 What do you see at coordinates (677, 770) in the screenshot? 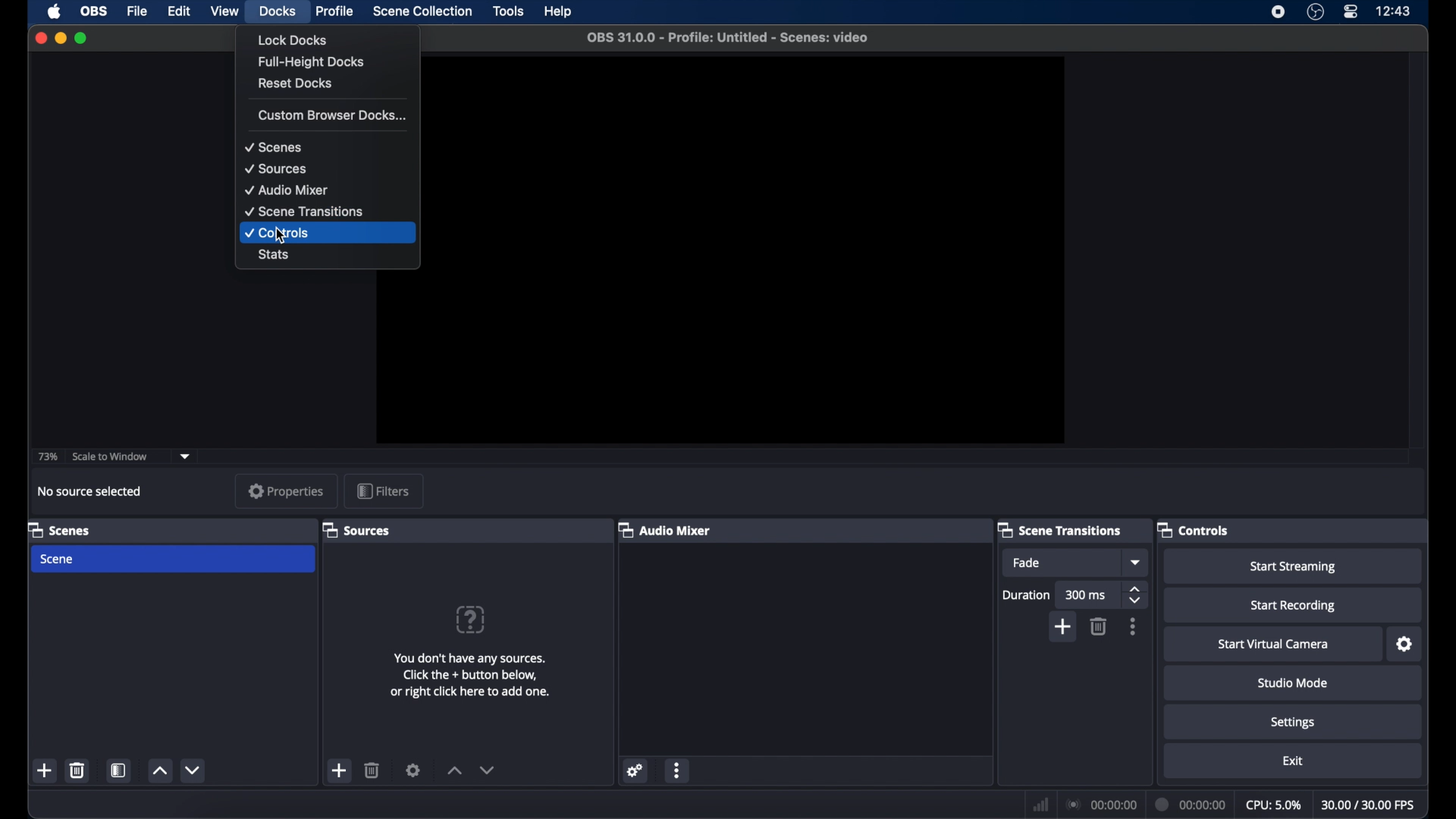
I see `more options` at bounding box center [677, 770].